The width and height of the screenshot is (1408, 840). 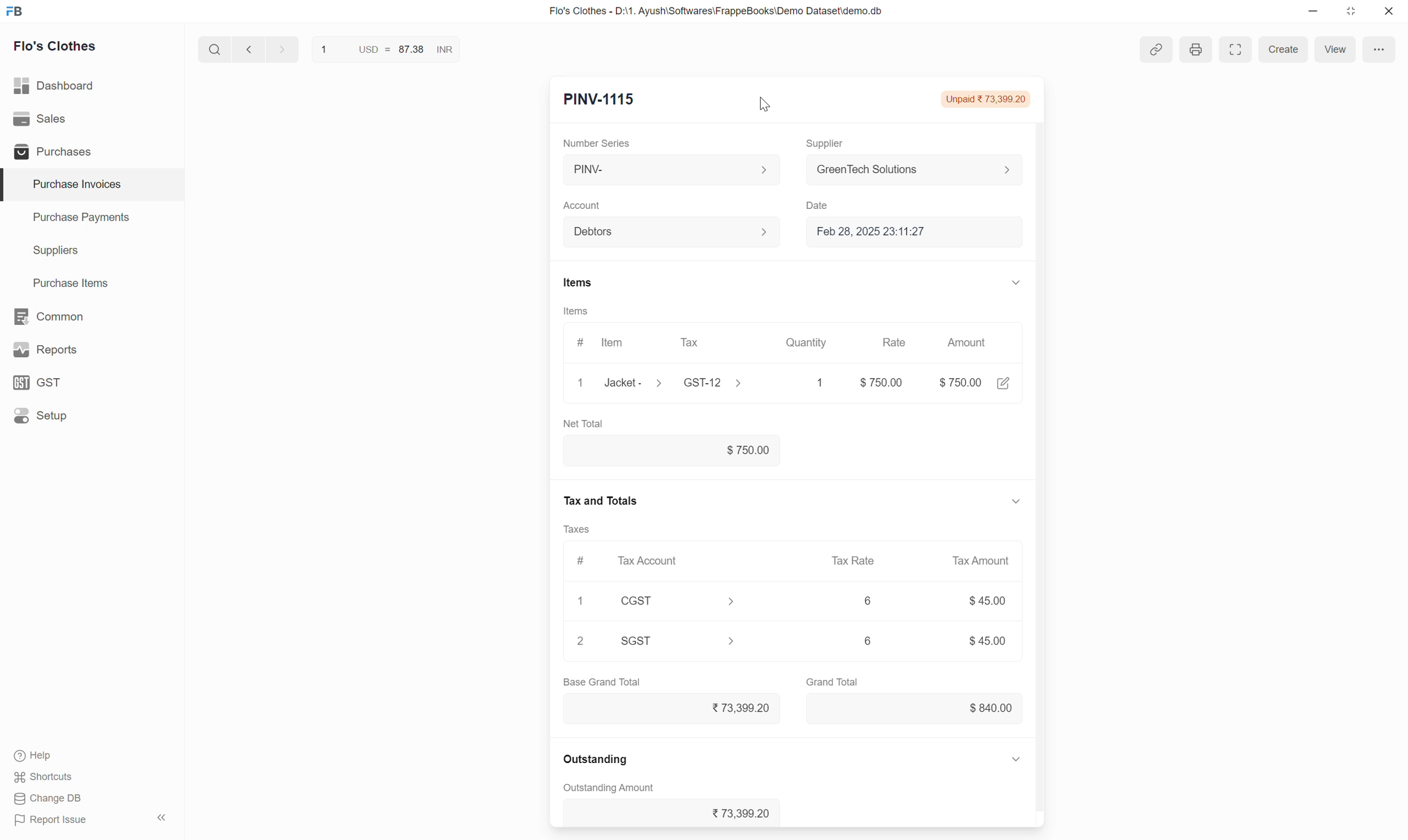 I want to click on Sales, so click(x=91, y=119).